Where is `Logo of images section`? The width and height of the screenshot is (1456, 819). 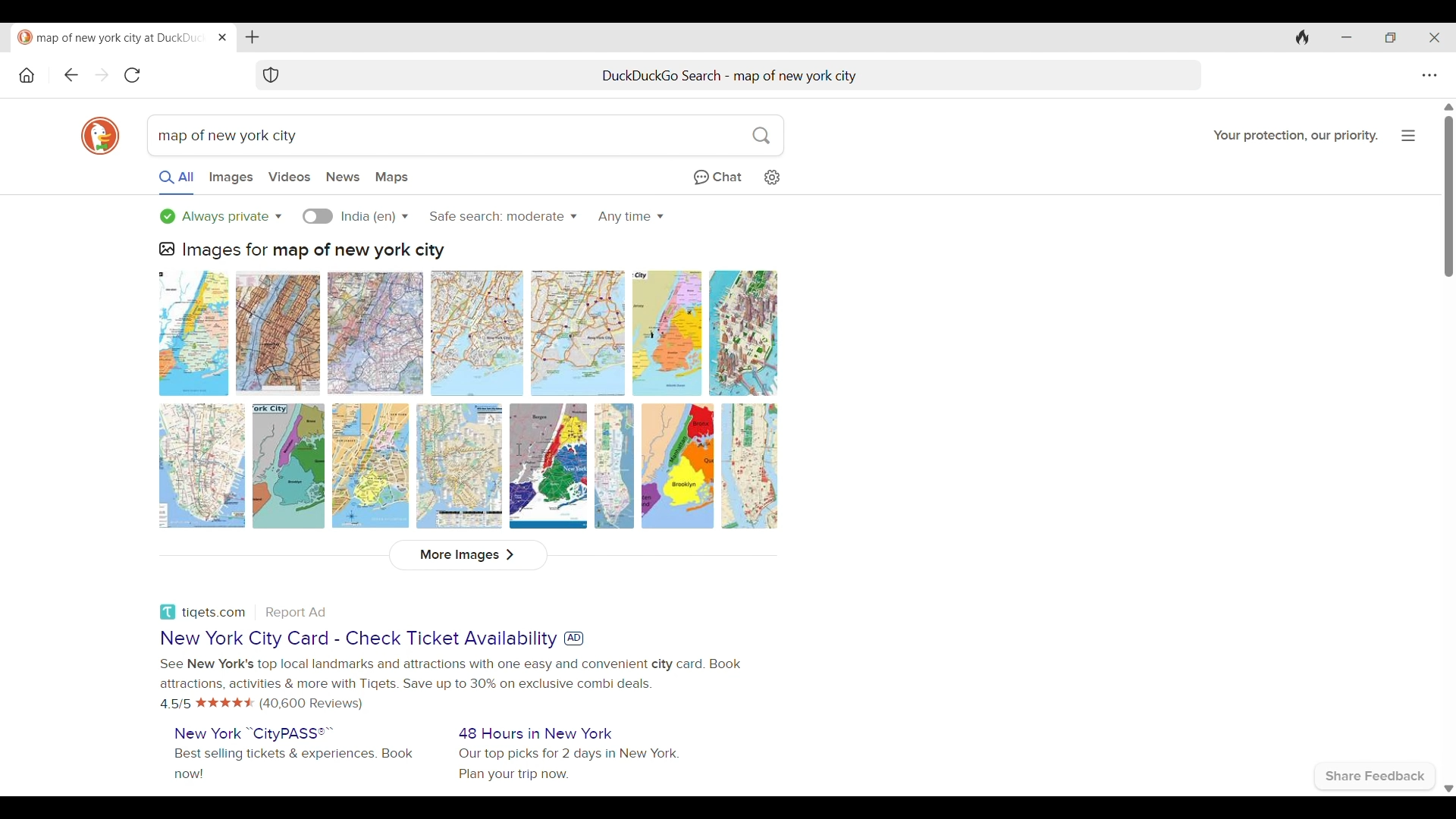
Logo of images section is located at coordinates (166, 249).